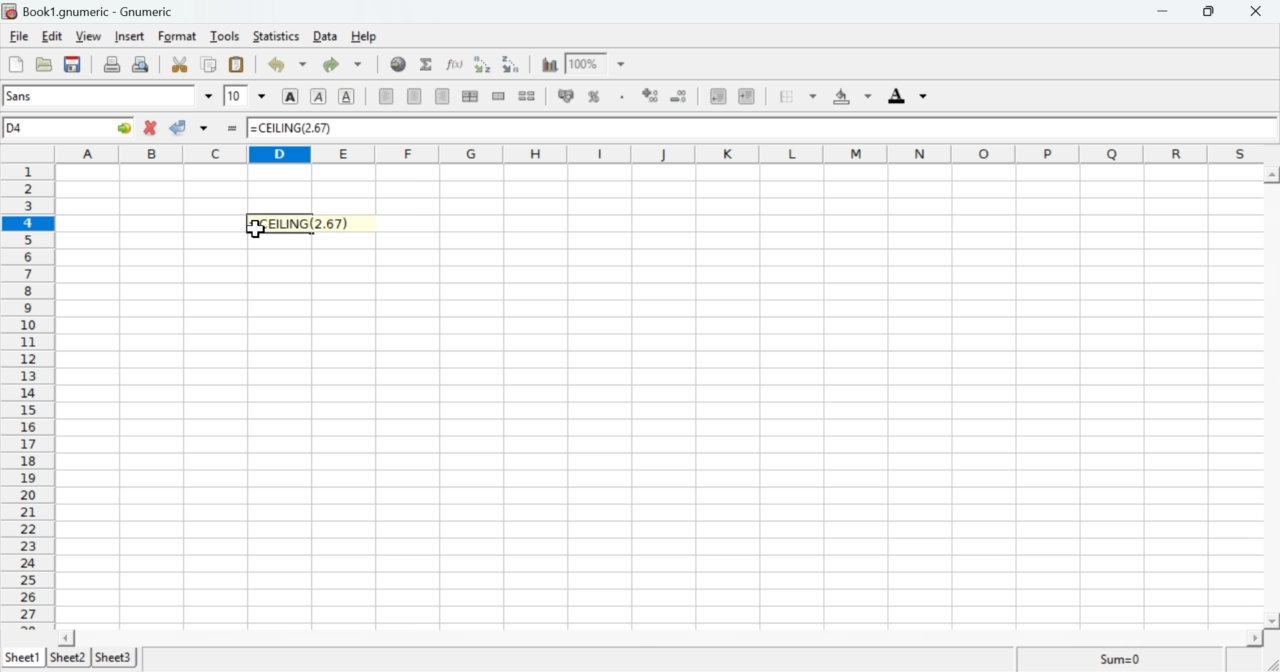 Image resolution: width=1280 pixels, height=672 pixels. I want to click on scroll left, so click(68, 637).